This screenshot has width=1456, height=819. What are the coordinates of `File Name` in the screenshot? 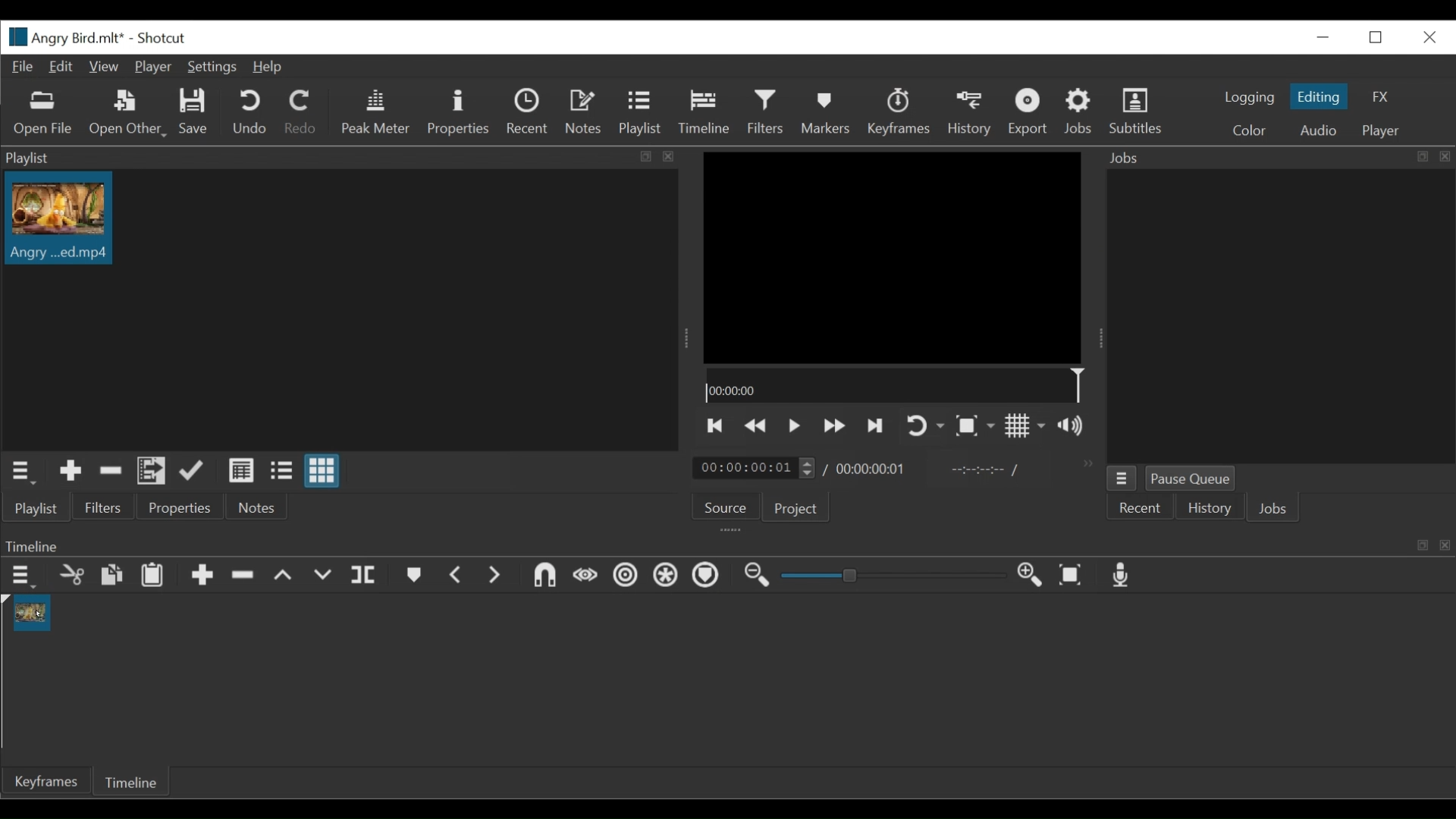 It's located at (64, 37).